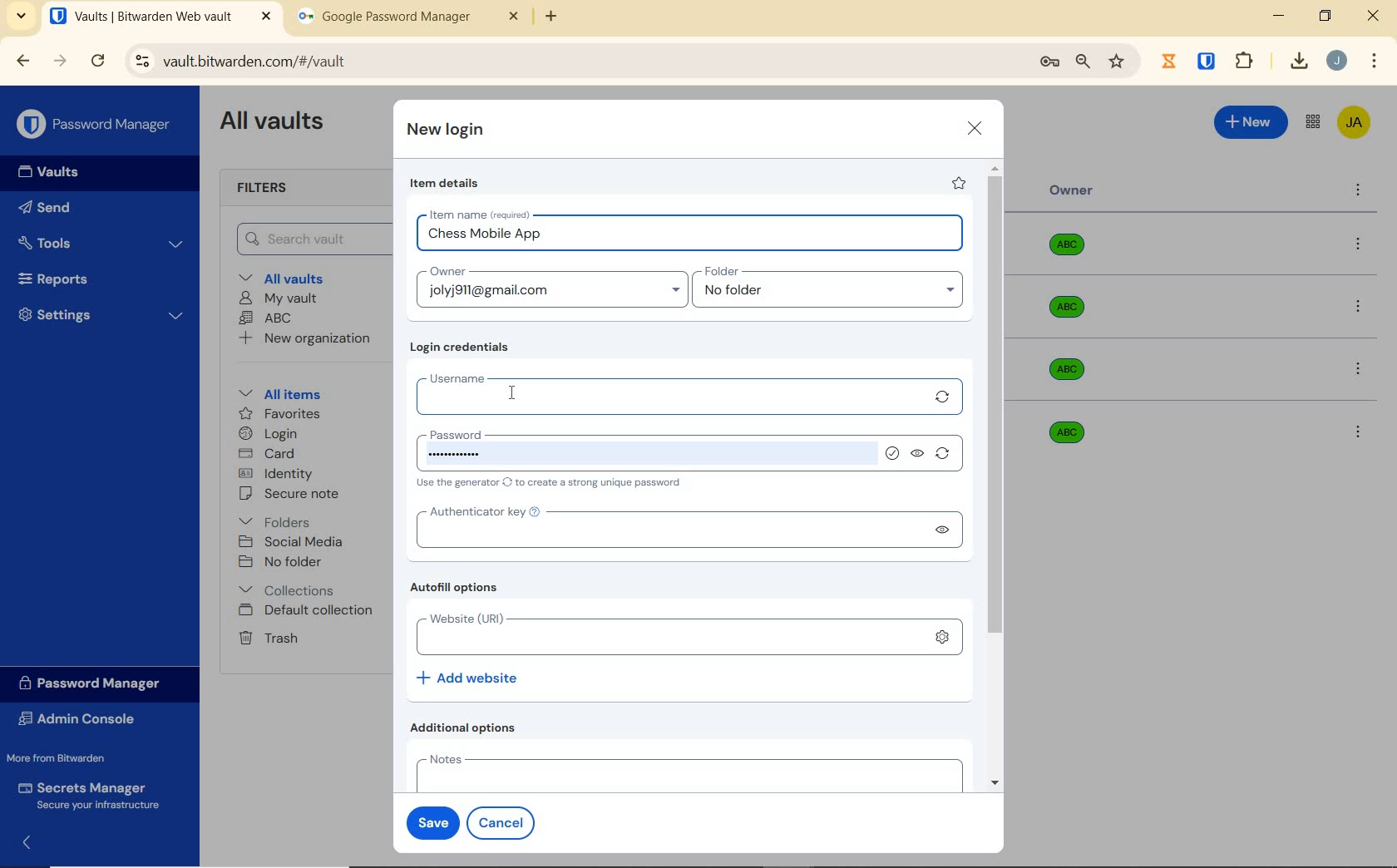 Image resolution: width=1397 pixels, height=868 pixels. I want to click on No folder, so click(283, 563).